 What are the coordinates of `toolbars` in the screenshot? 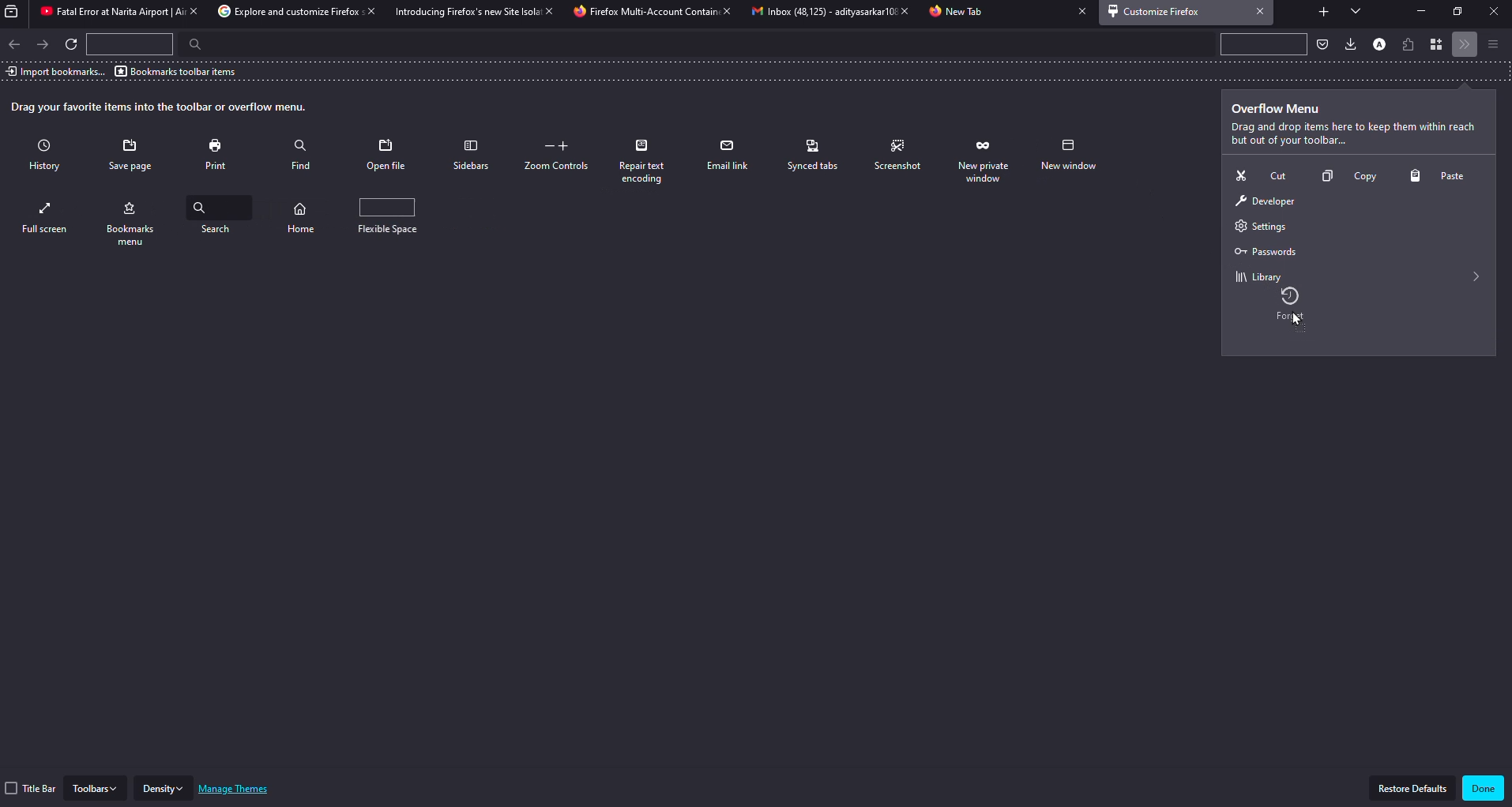 It's located at (96, 787).